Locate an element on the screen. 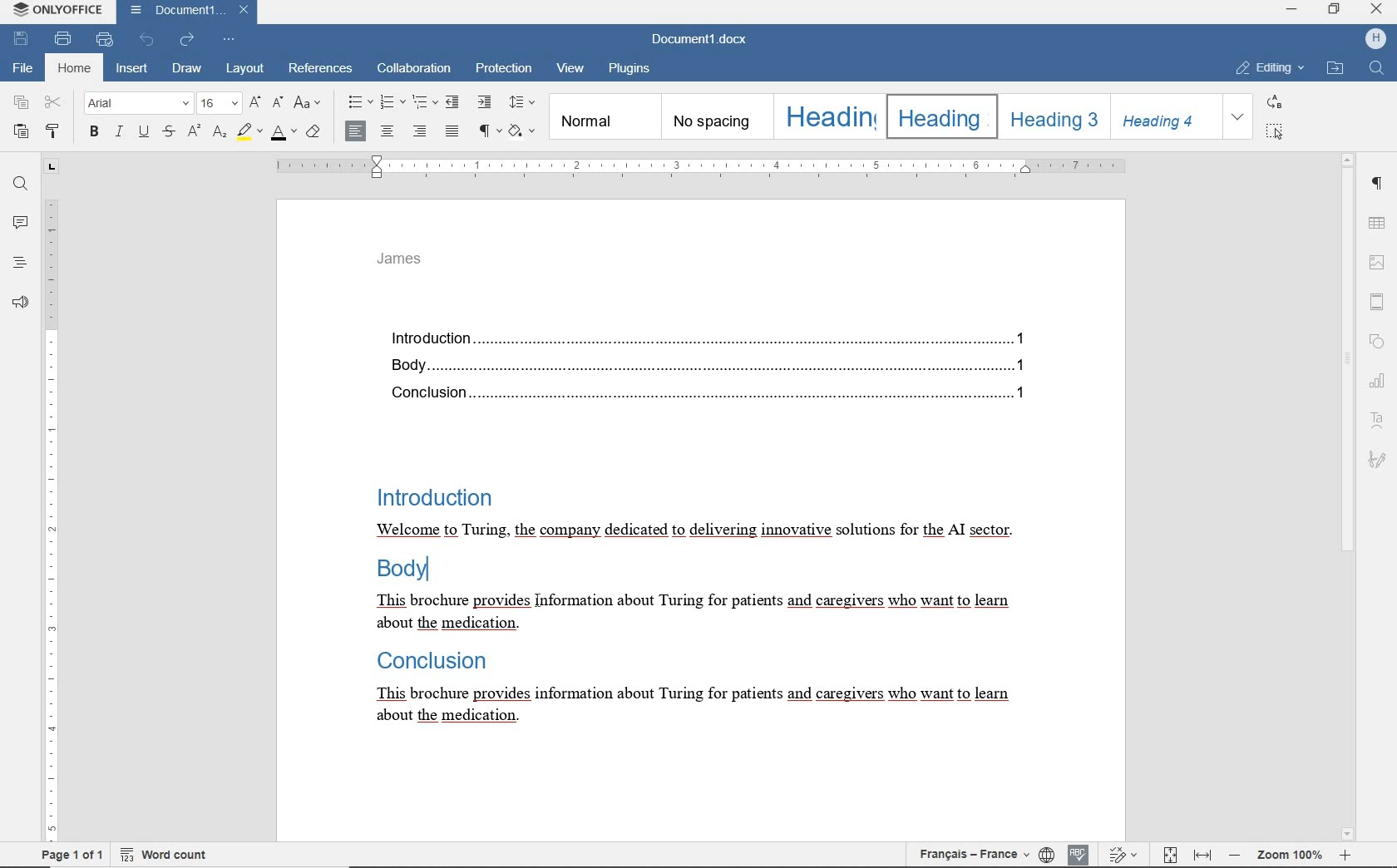 Image resolution: width=1397 pixels, height=868 pixels. HEADING 2 is located at coordinates (940, 116).